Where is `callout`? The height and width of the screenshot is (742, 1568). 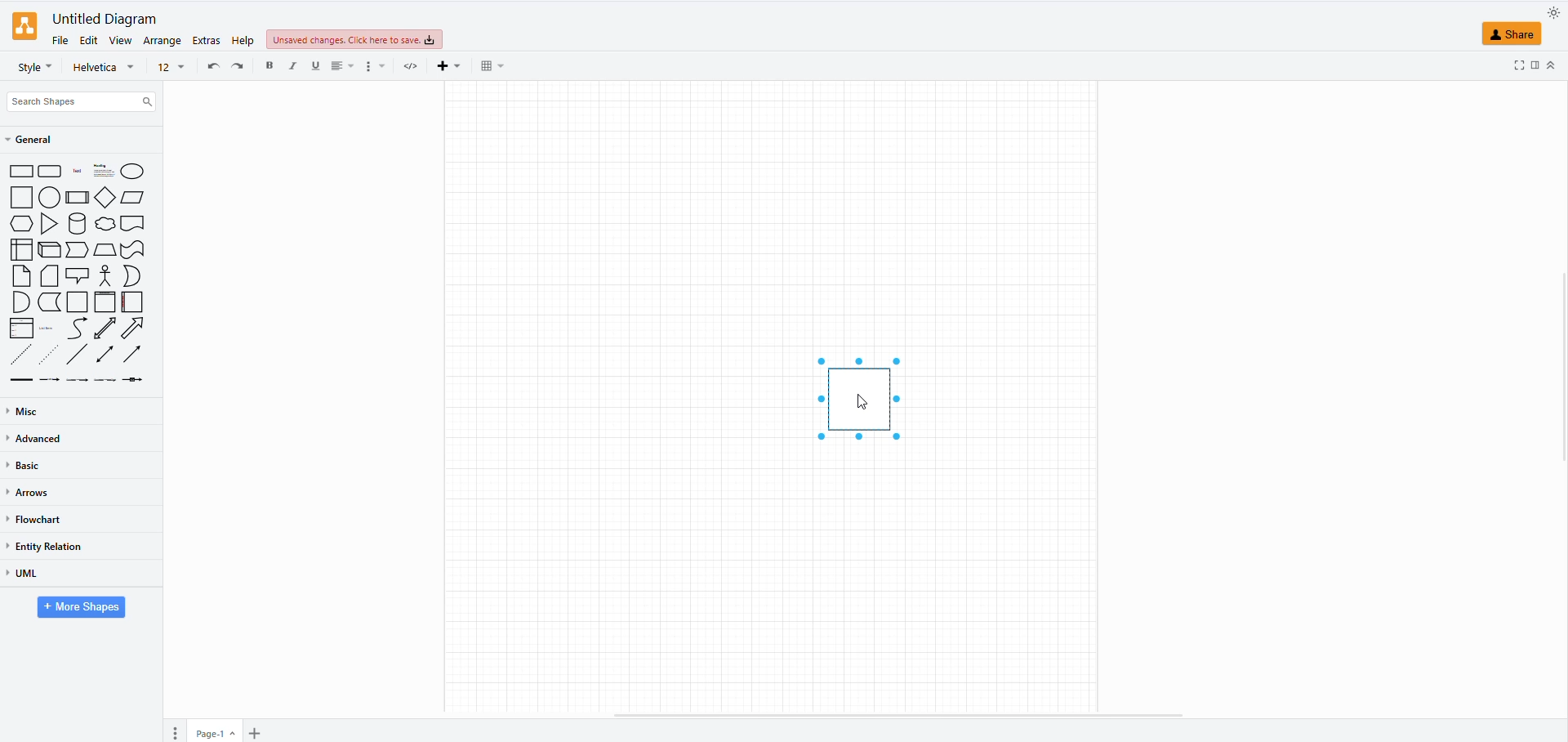 callout is located at coordinates (78, 275).